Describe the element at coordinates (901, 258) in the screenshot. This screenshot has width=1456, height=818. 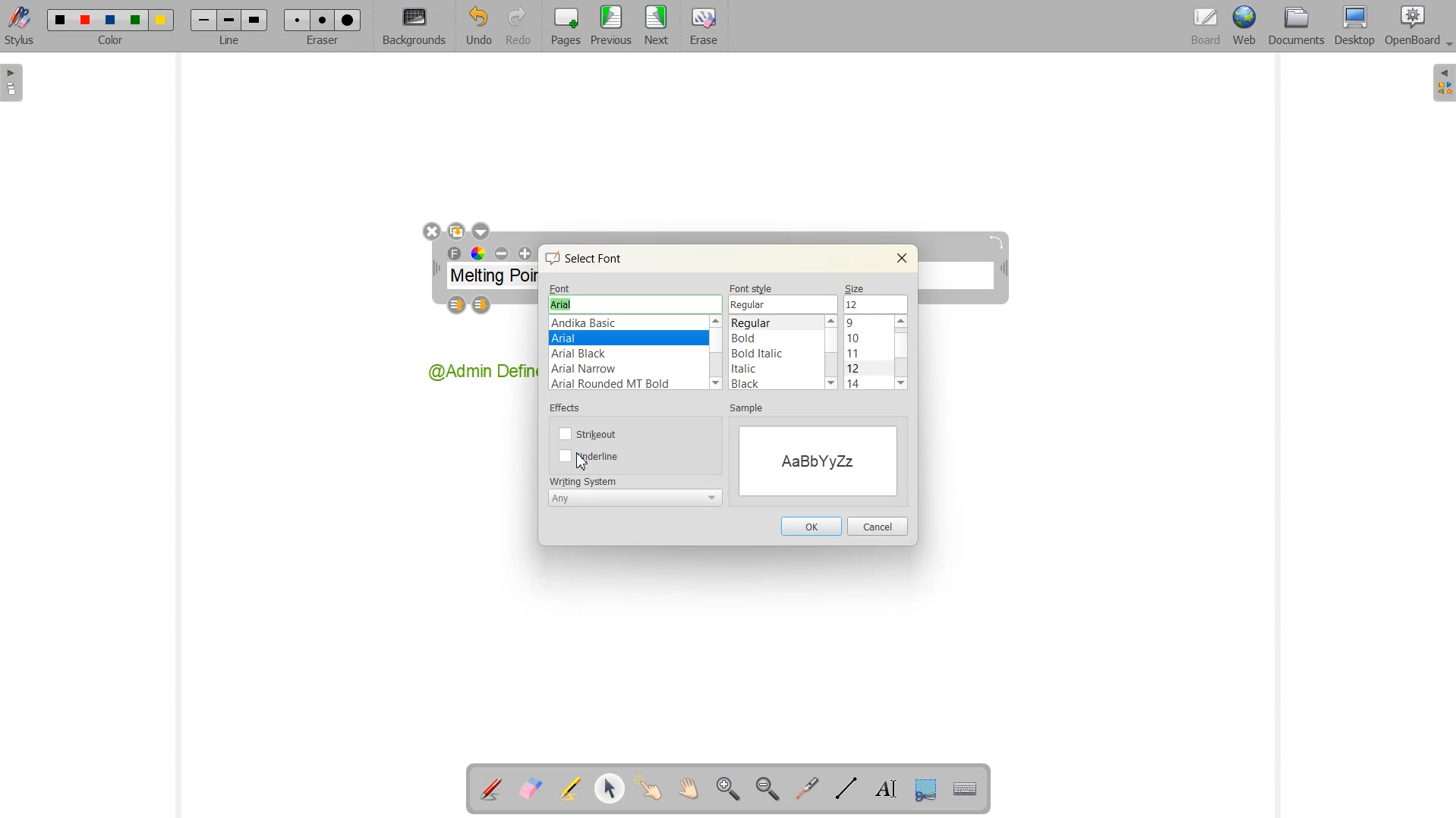
I see `Close` at that location.